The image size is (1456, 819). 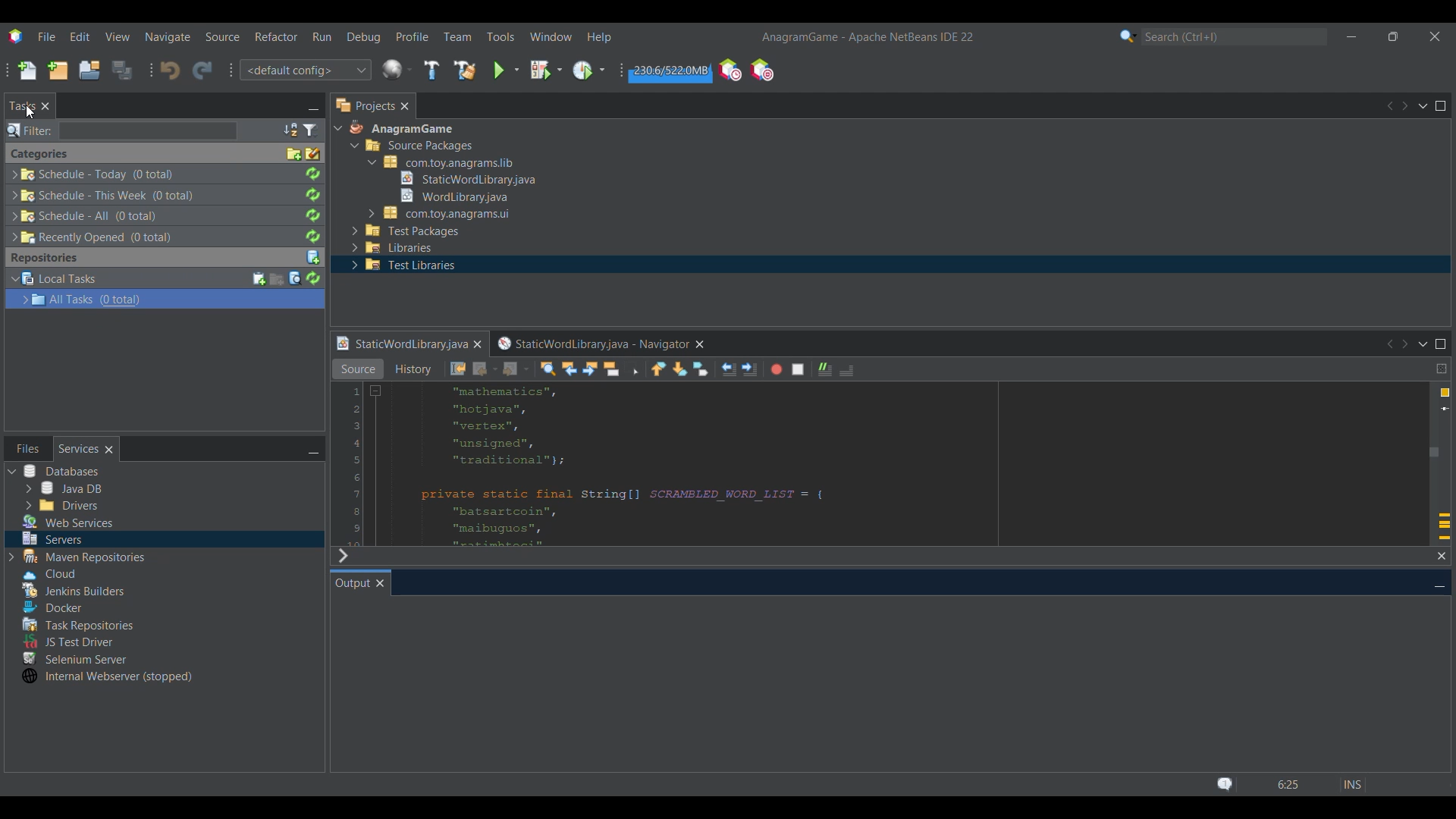 I want to click on Save all, so click(x=123, y=70).